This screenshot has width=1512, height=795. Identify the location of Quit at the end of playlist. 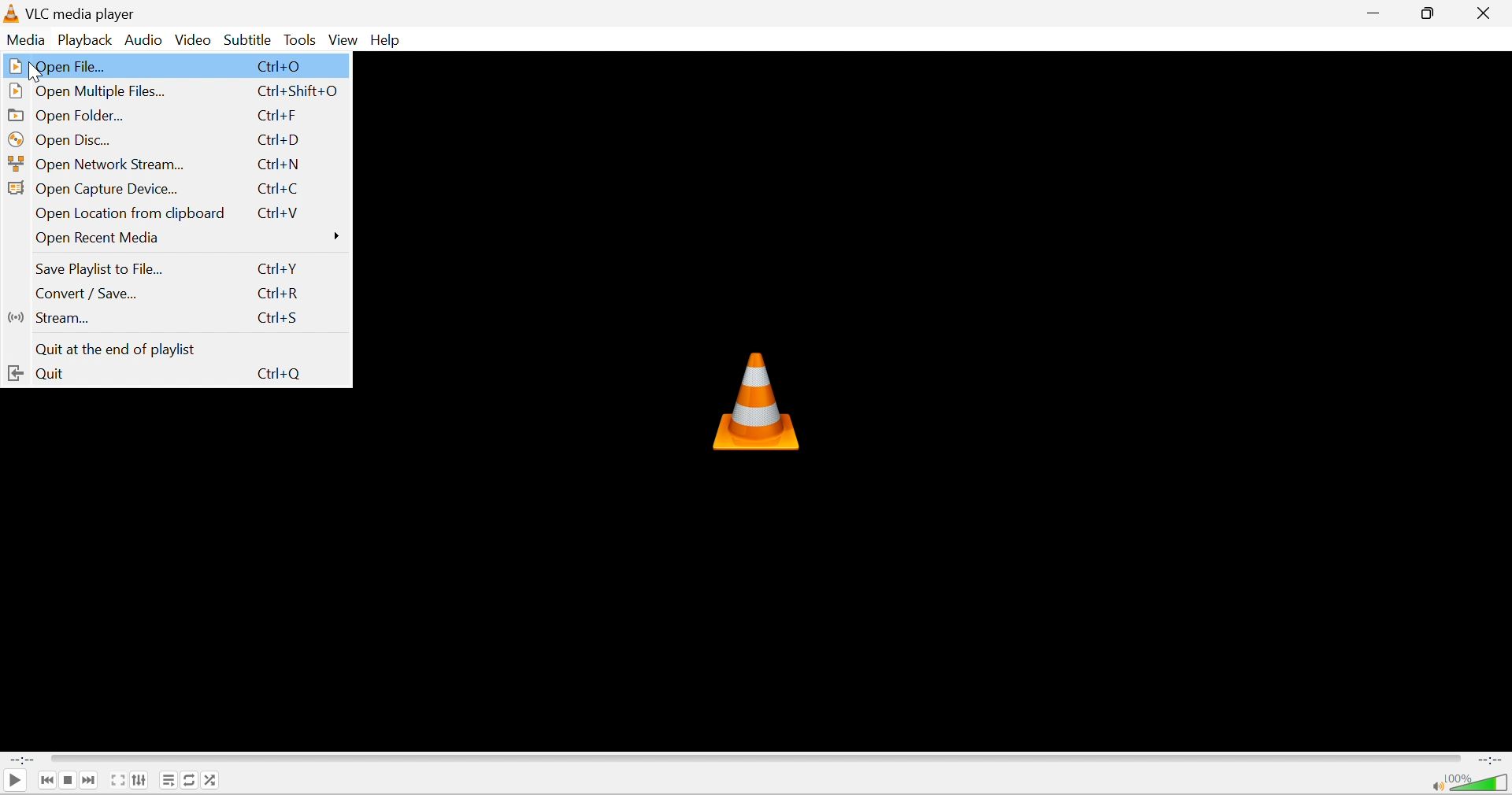
(114, 350).